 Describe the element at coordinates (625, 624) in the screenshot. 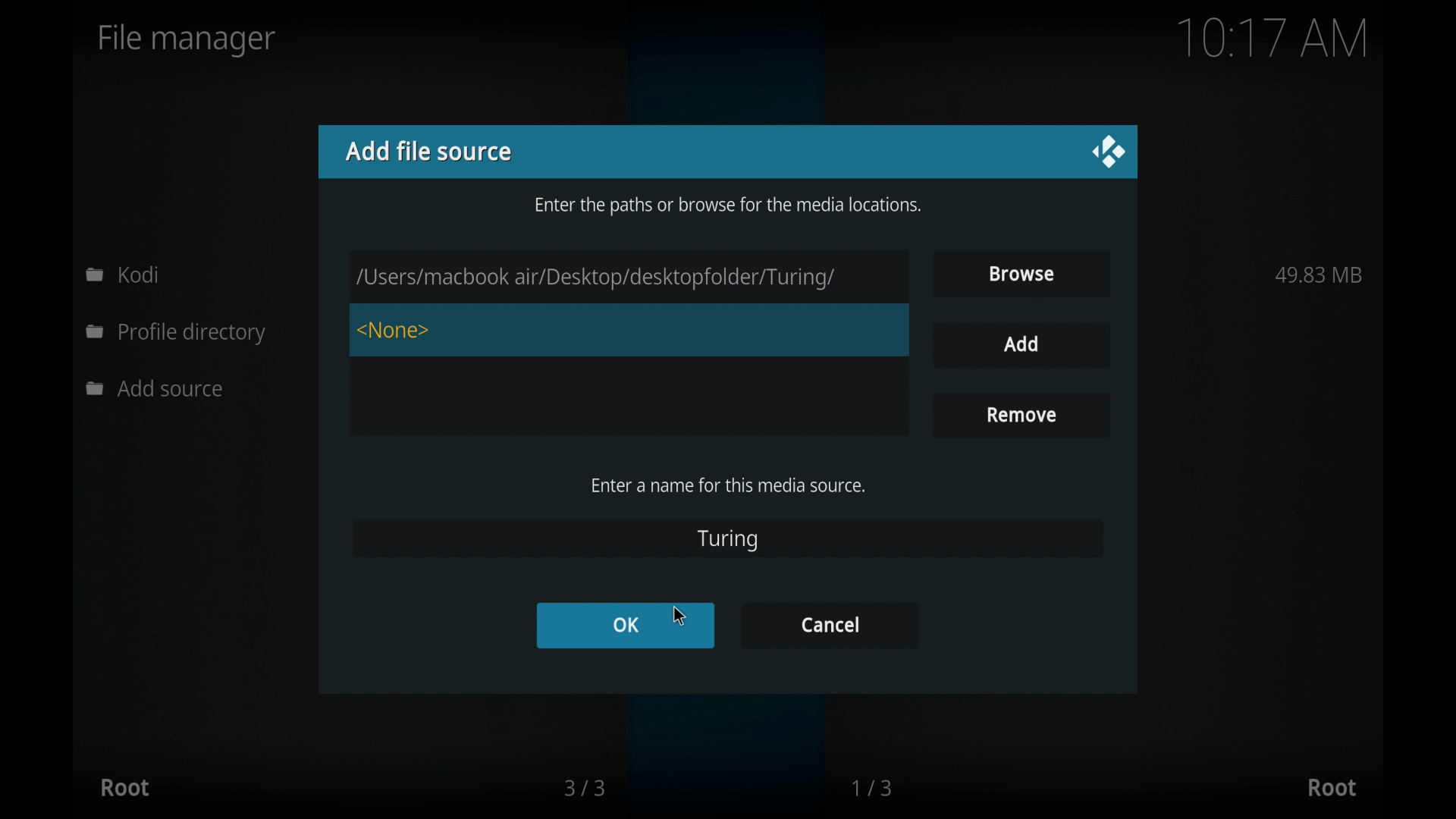

I see `ok` at that location.